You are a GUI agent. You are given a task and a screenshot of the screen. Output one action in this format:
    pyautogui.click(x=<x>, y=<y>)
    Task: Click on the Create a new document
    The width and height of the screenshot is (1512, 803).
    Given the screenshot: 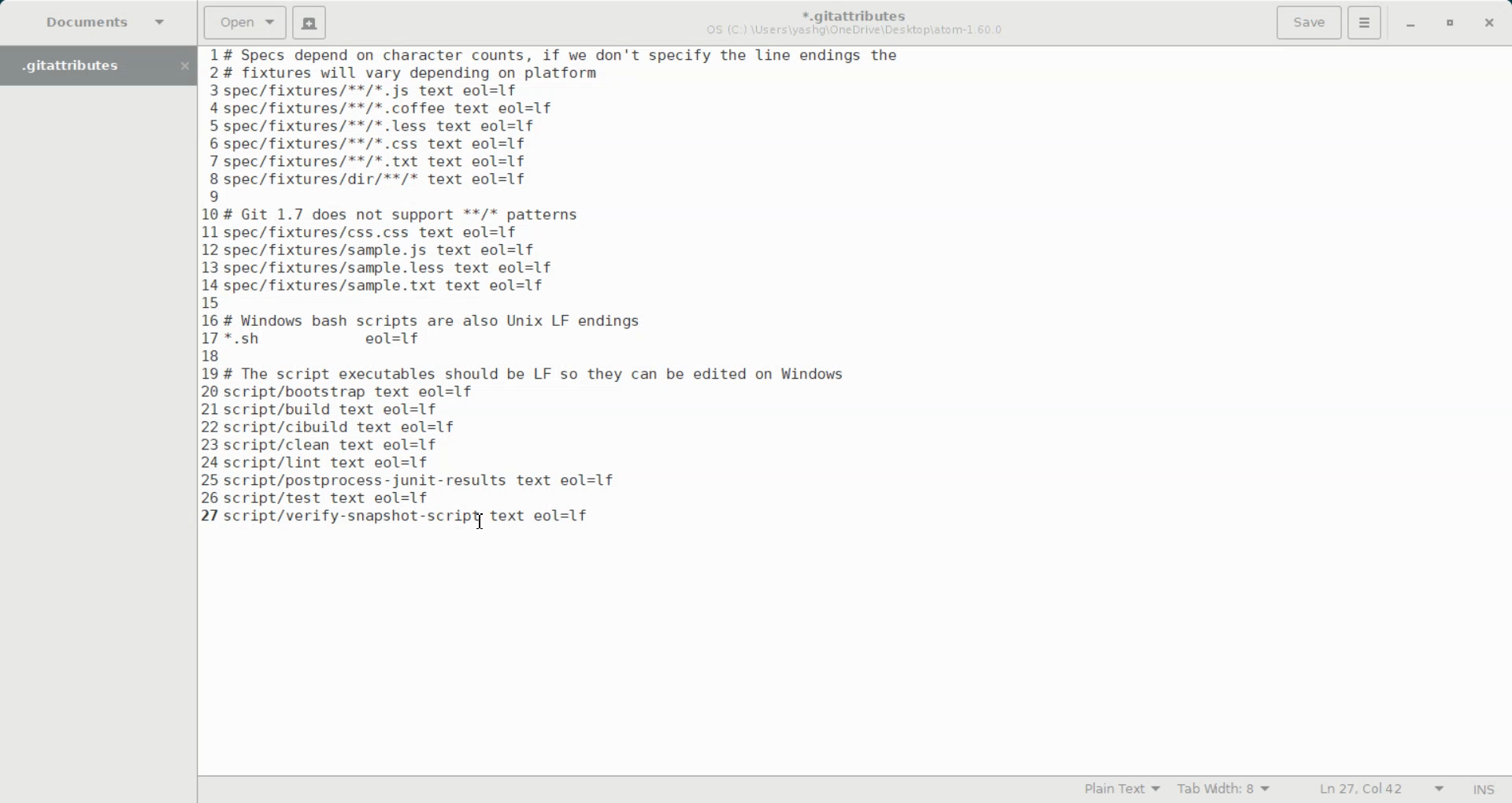 What is the action you would take?
    pyautogui.click(x=310, y=23)
    